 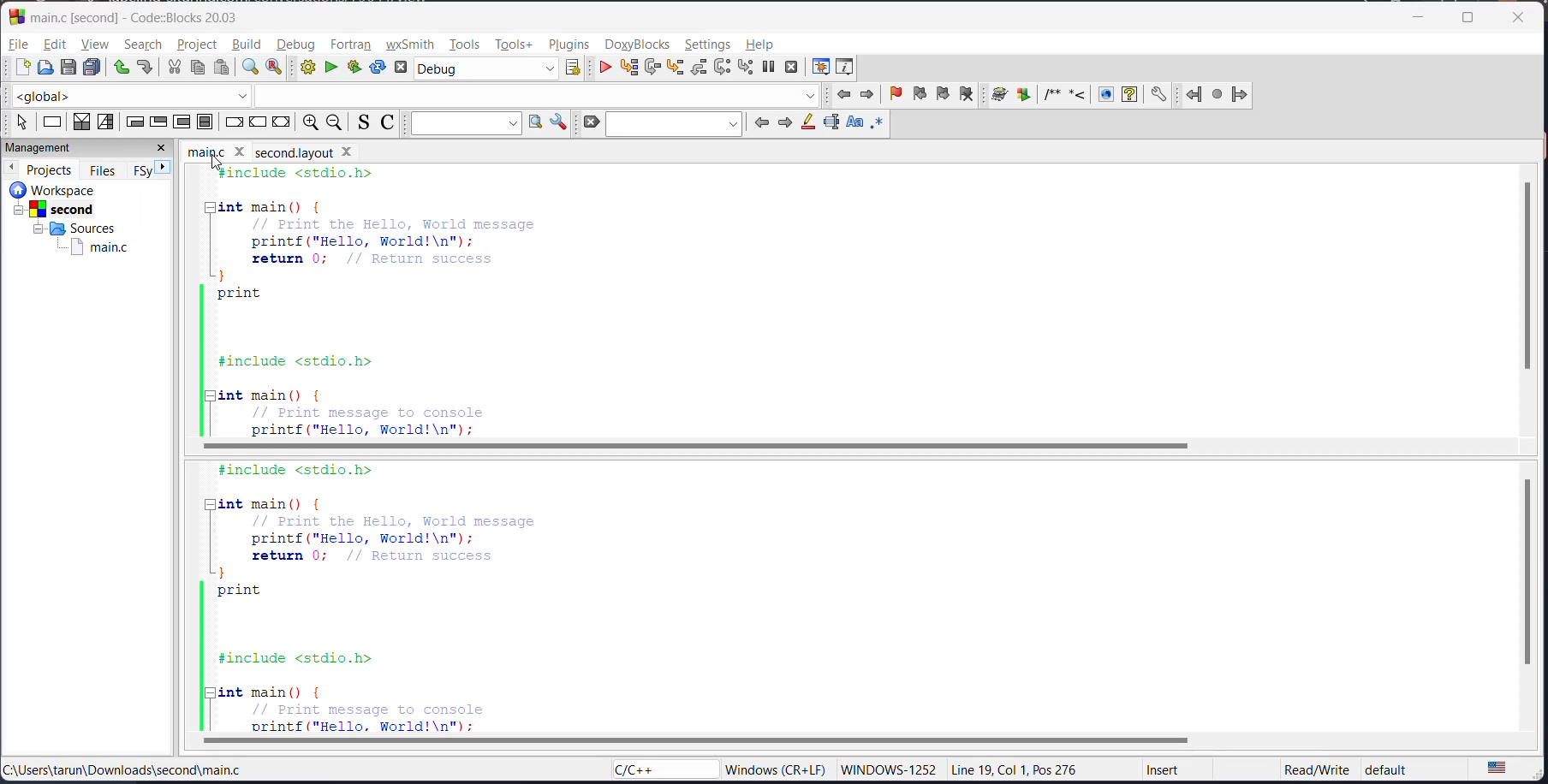 What do you see at coordinates (467, 43) in the screenshot?
I see `tools` at bounding box center [467, 43].